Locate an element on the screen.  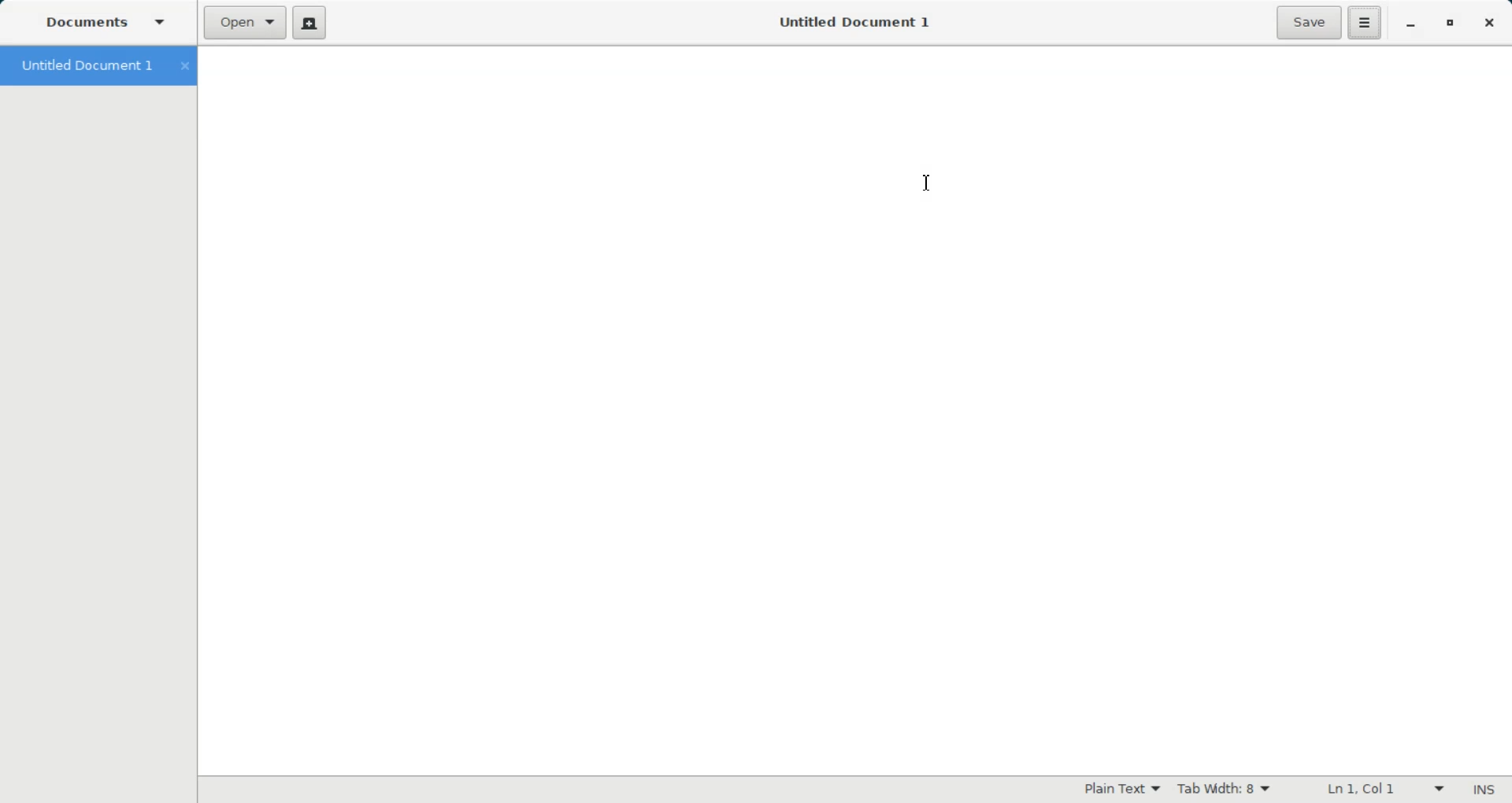
Cursor is located at coordinates (928, 184).